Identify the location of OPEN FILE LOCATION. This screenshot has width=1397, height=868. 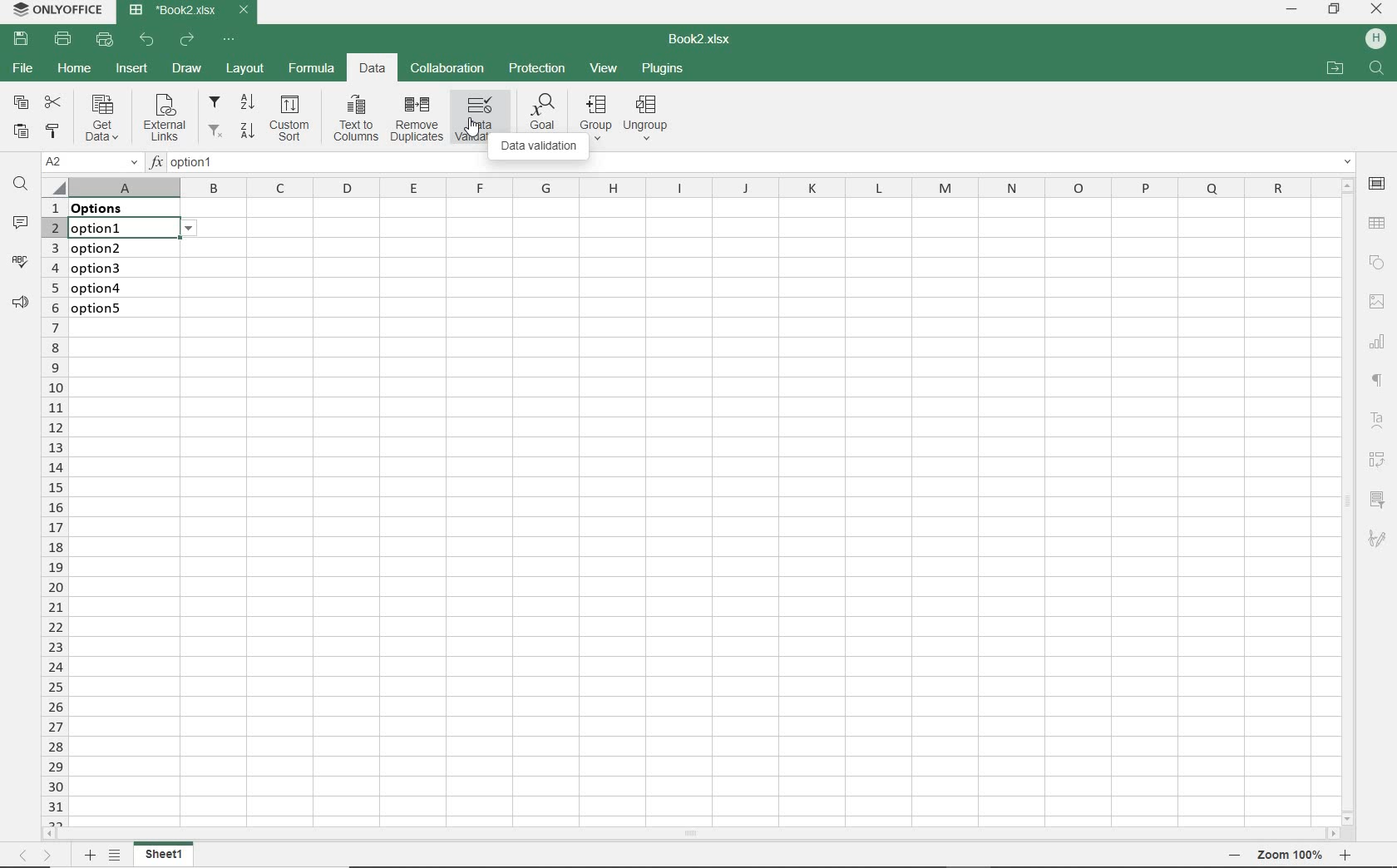
(1335, 67).